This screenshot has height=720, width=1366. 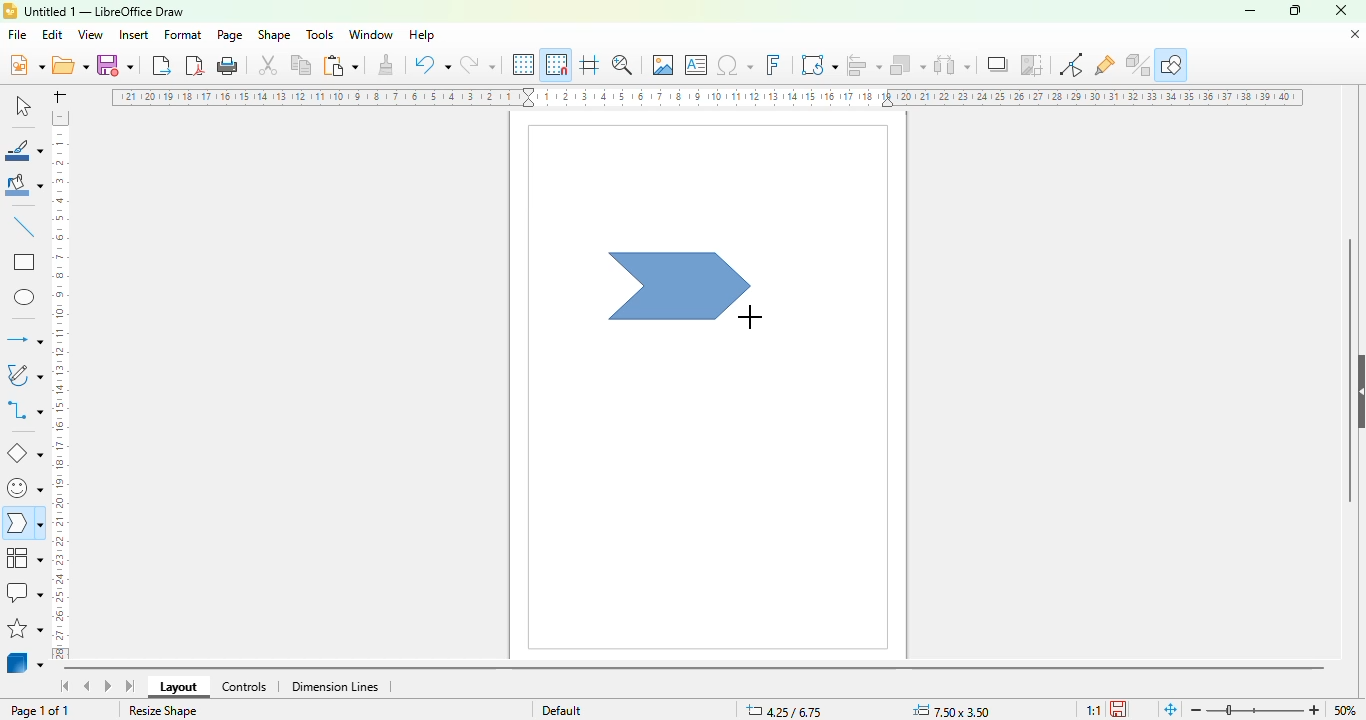 What do you see at coordinates (1093, 710) in the screenshot?
I see `scaling factor of the document` at bounding box center [1093, 710].